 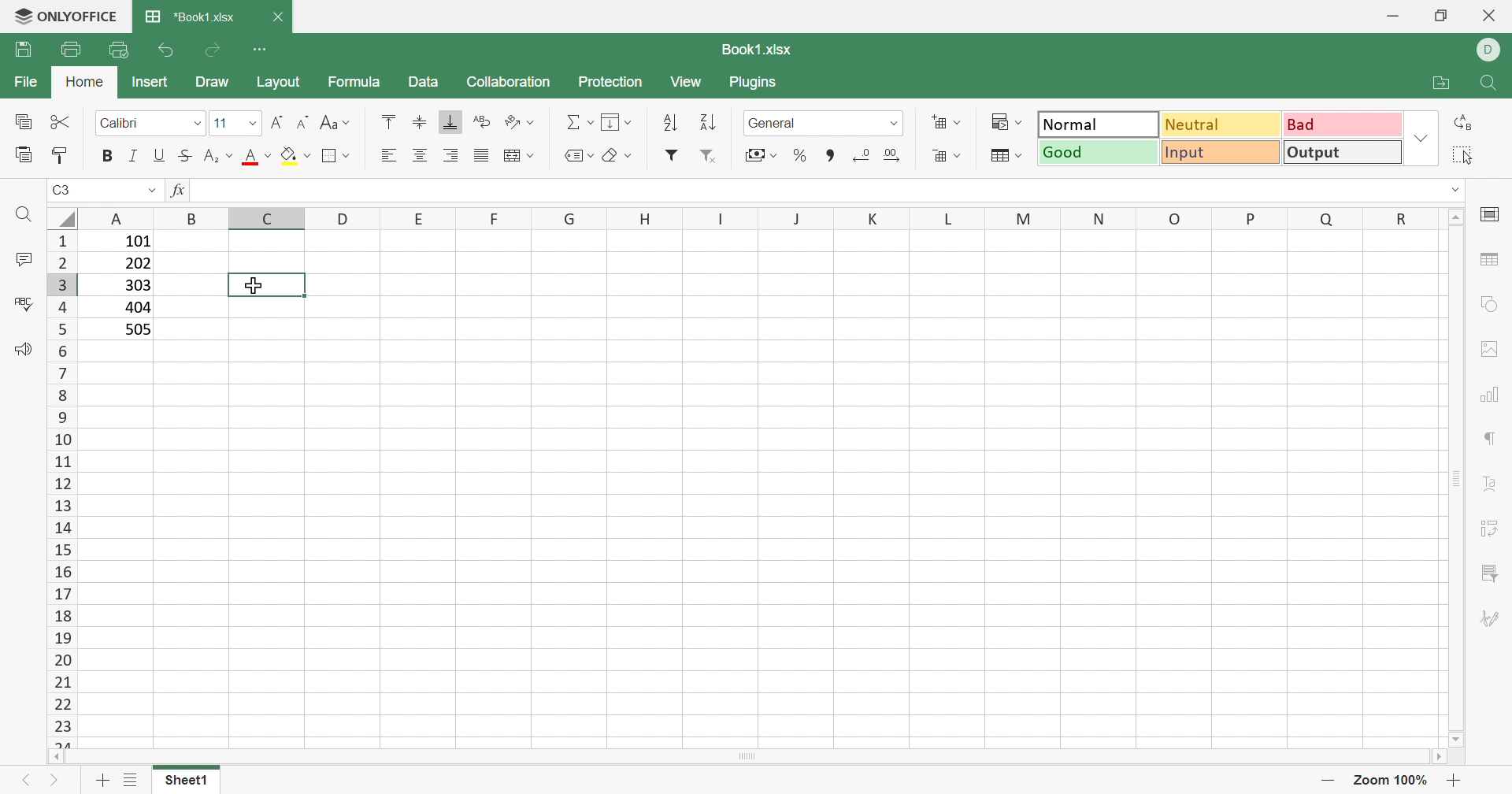 What do you see at coordinates (1440, 17) in the screenshot?
I see `Restore Down` at bounding box center [1440, 17].